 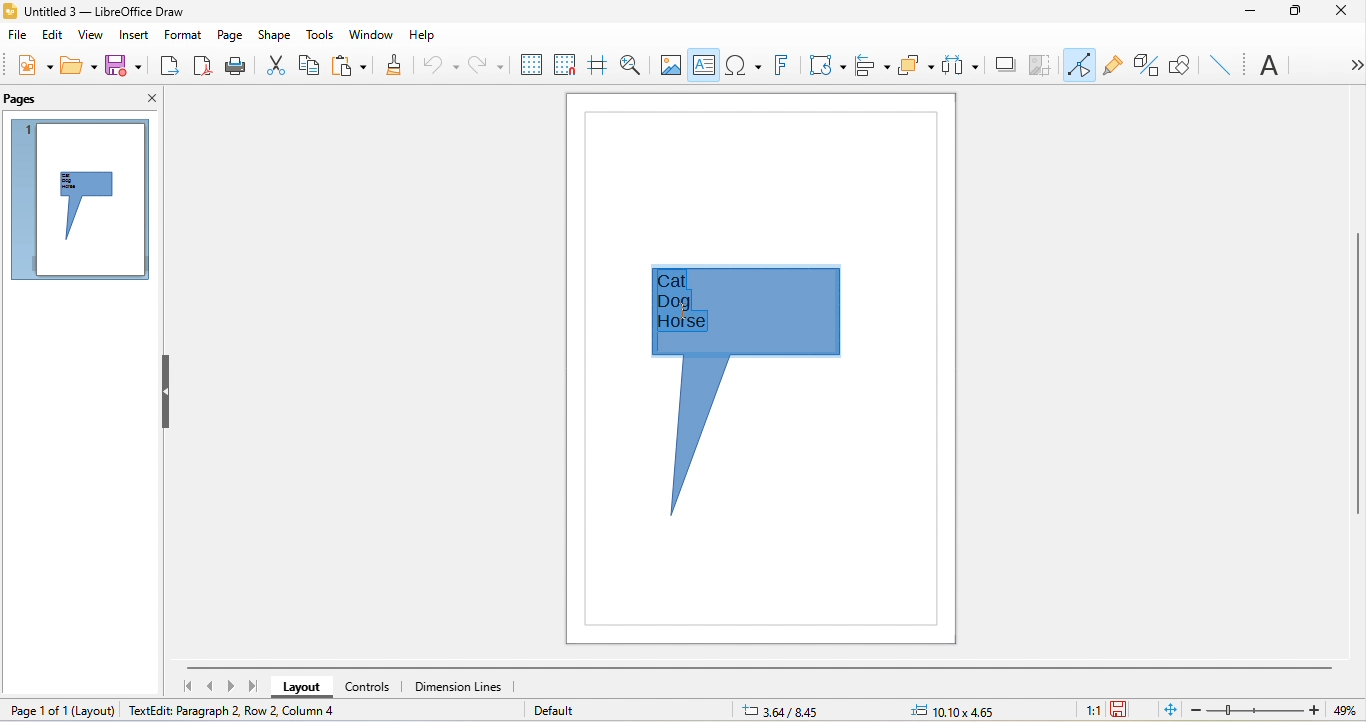 I want to click on paste, so click(x=349, y=66).